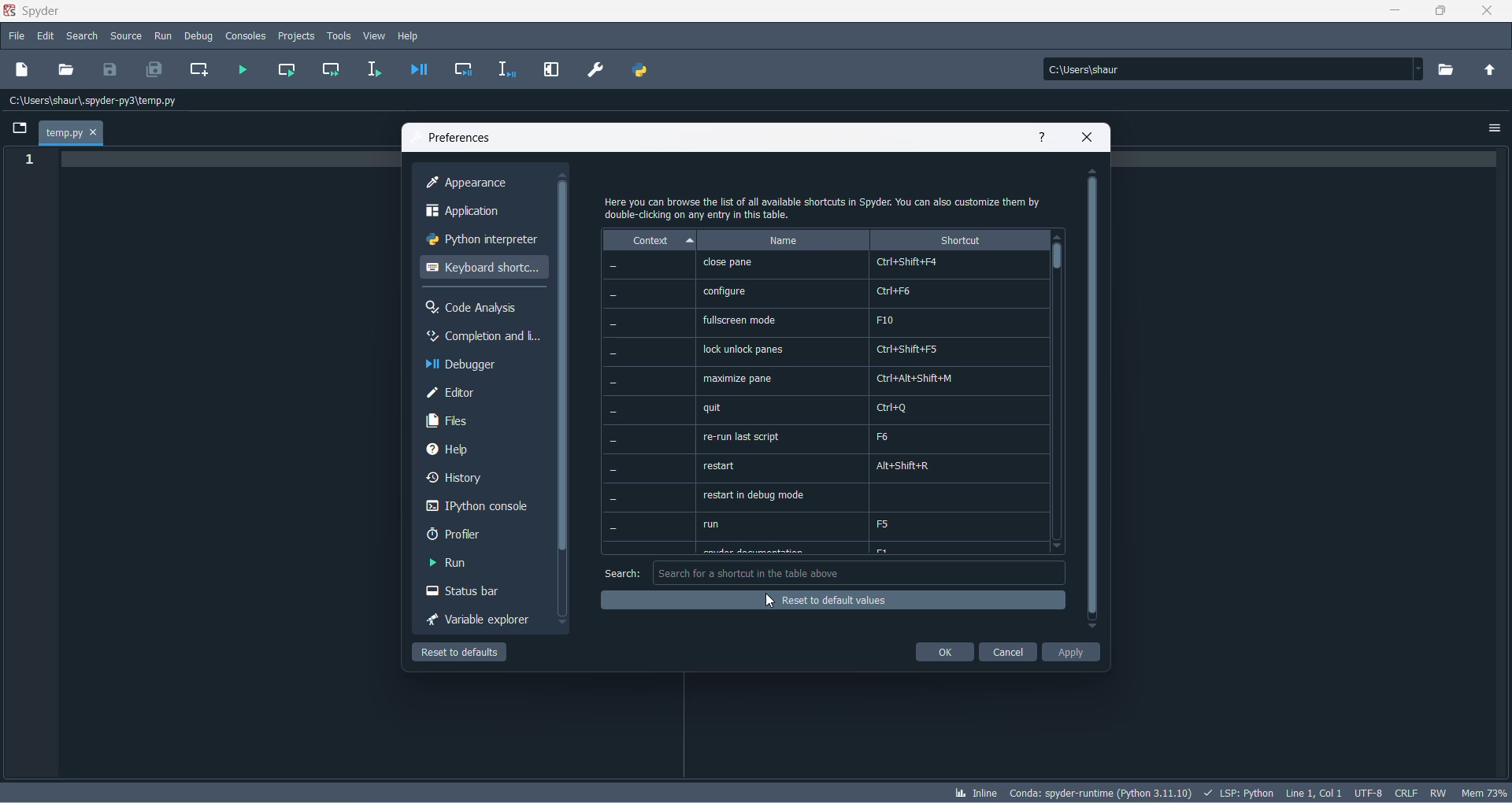 The width and height of the screenshot is (1512, 803). Describe the element at coordinates (561, 371) in the screenshot. I see `scrollbar` at that location.